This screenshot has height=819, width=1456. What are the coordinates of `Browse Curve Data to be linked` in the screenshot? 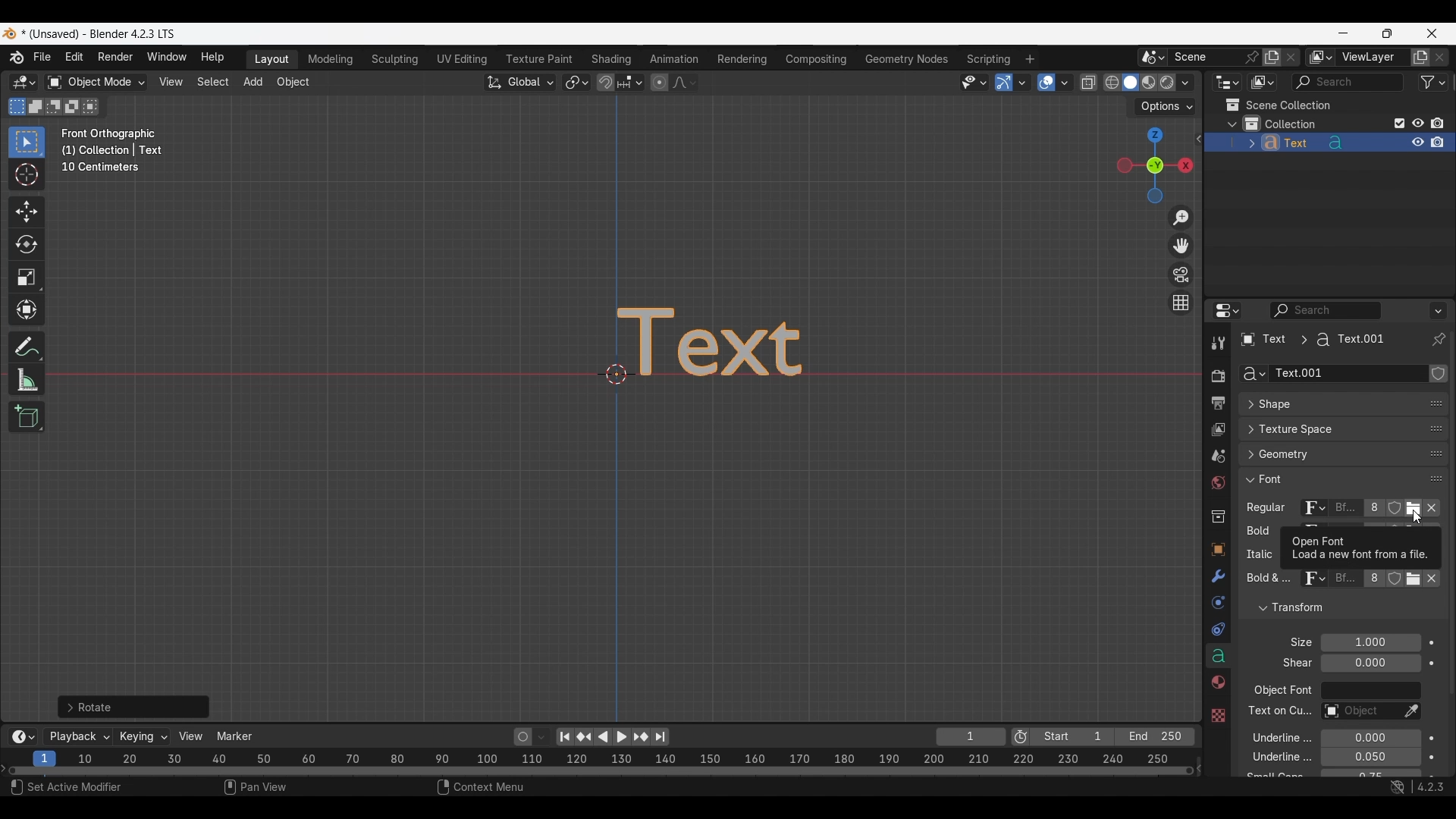 It's located at (1252, 374).